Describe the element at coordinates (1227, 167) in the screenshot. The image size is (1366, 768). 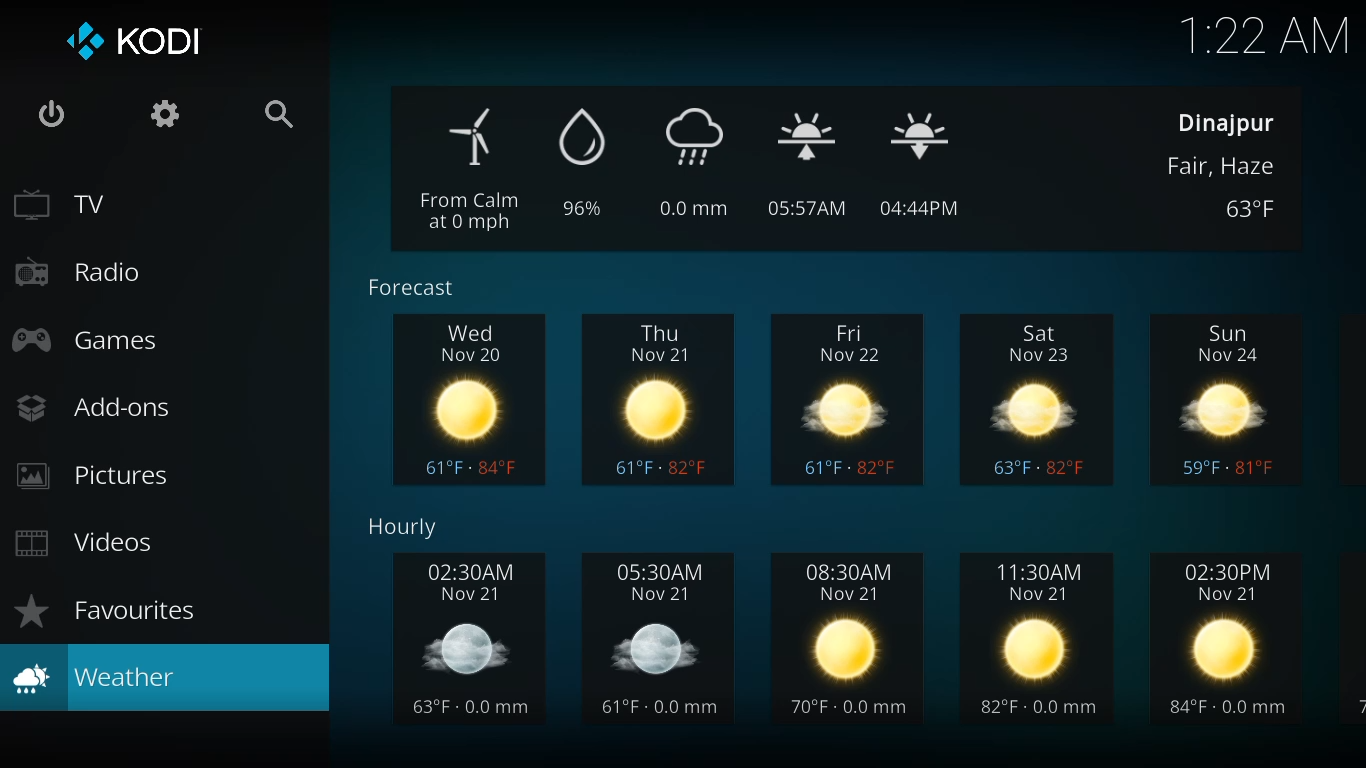
I see `fair haze` at that location.